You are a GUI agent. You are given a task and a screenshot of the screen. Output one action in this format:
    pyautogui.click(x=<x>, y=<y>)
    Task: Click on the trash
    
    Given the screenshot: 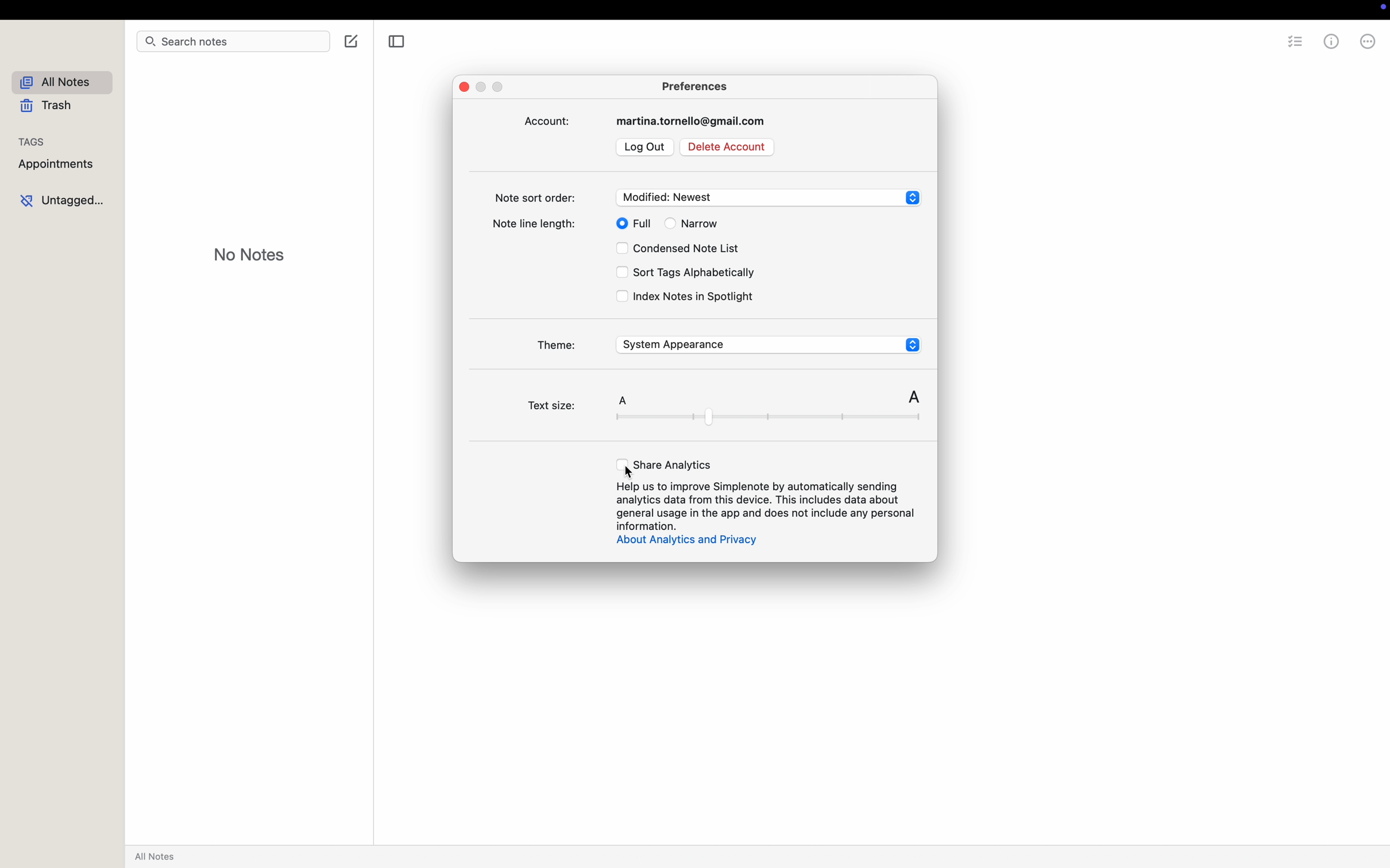 What is the action you would take?
    pyautogui.click(x=51, y=106)
    